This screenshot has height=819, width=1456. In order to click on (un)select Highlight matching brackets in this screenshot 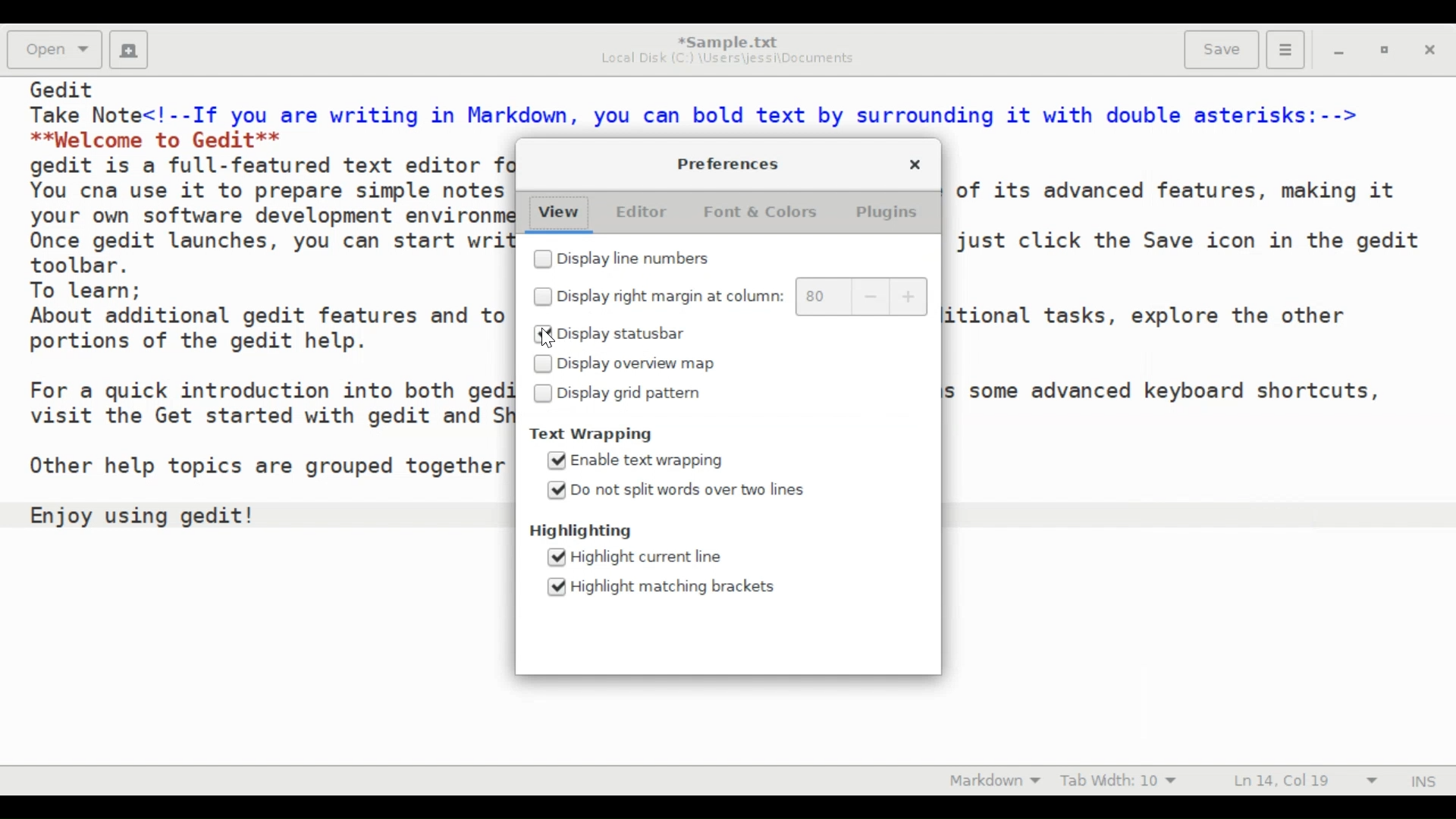, I will do `click(668, 588)`.